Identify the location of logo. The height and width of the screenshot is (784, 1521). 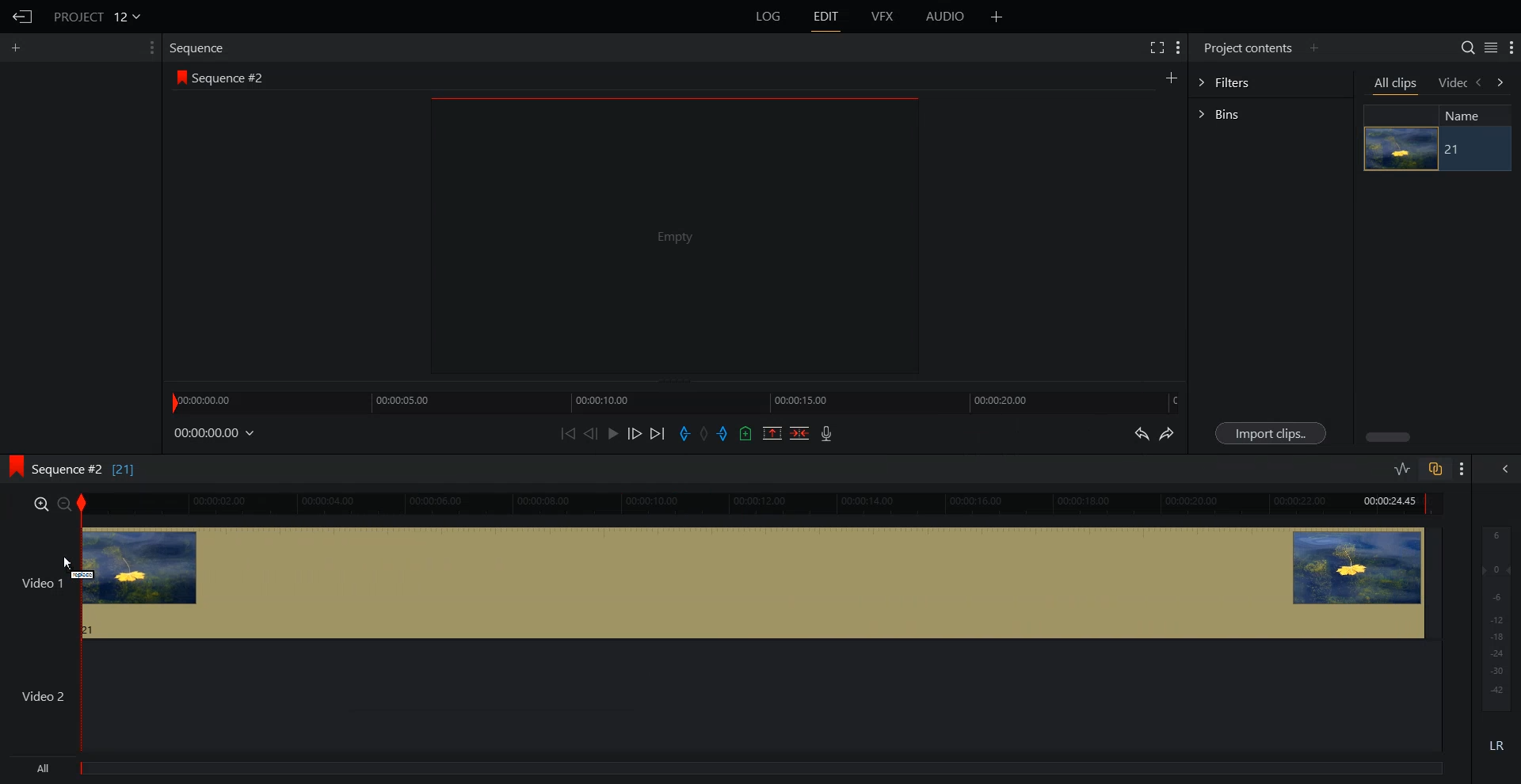
(178, 78).